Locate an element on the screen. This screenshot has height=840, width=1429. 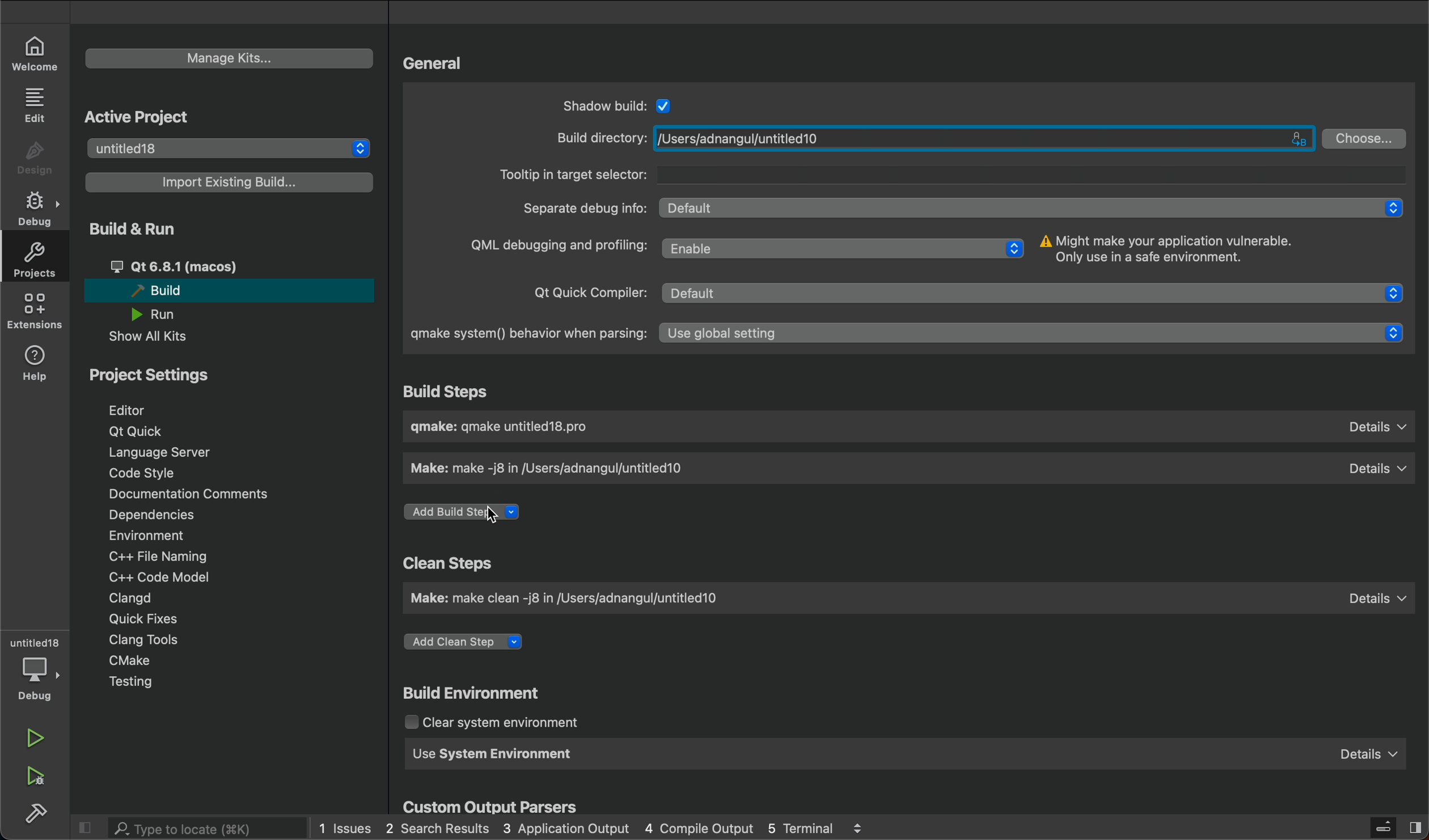
untitled is located at coordinates (32, 641).